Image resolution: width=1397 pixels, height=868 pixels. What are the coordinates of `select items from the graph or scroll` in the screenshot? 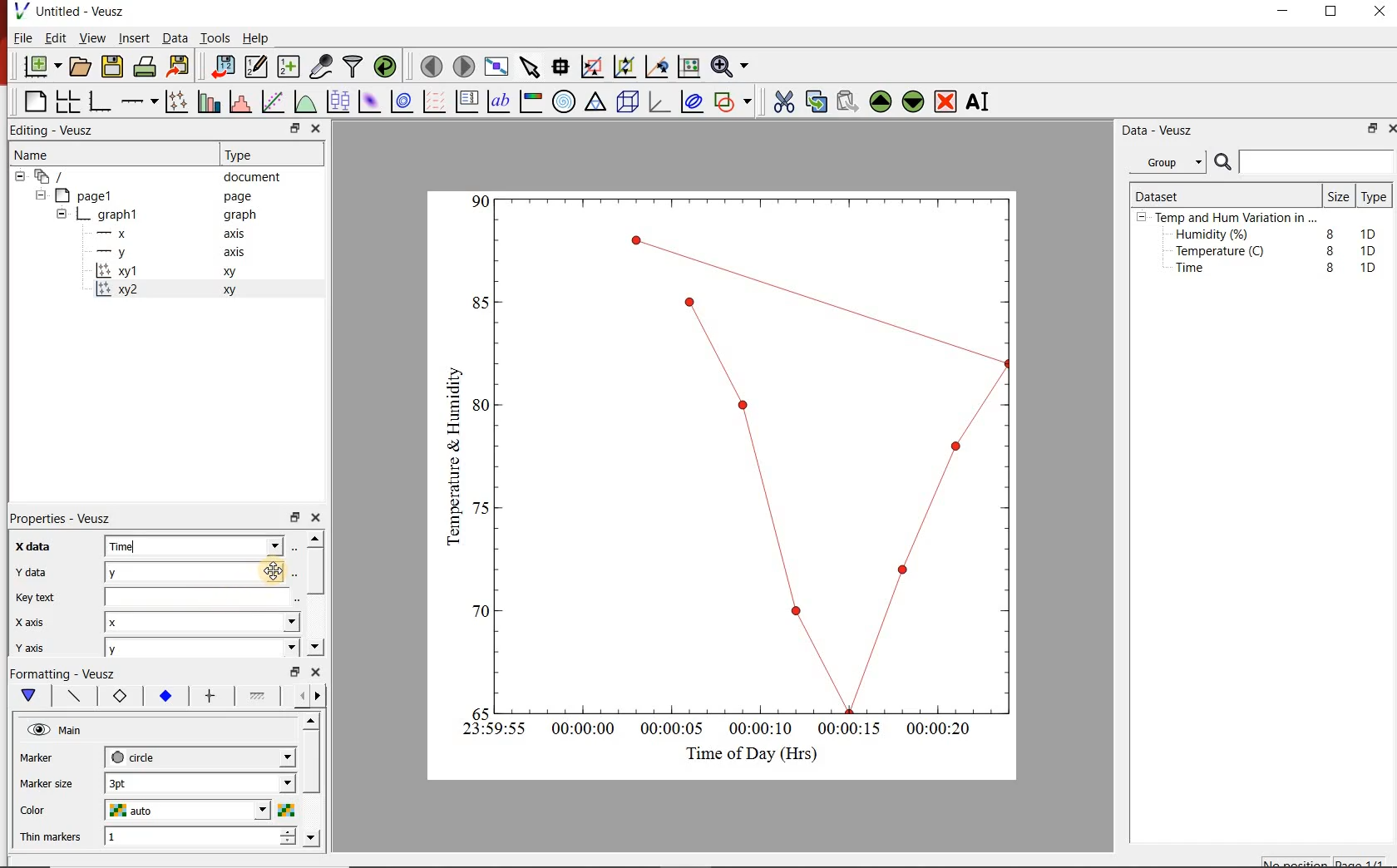 It's located at (531, 69).